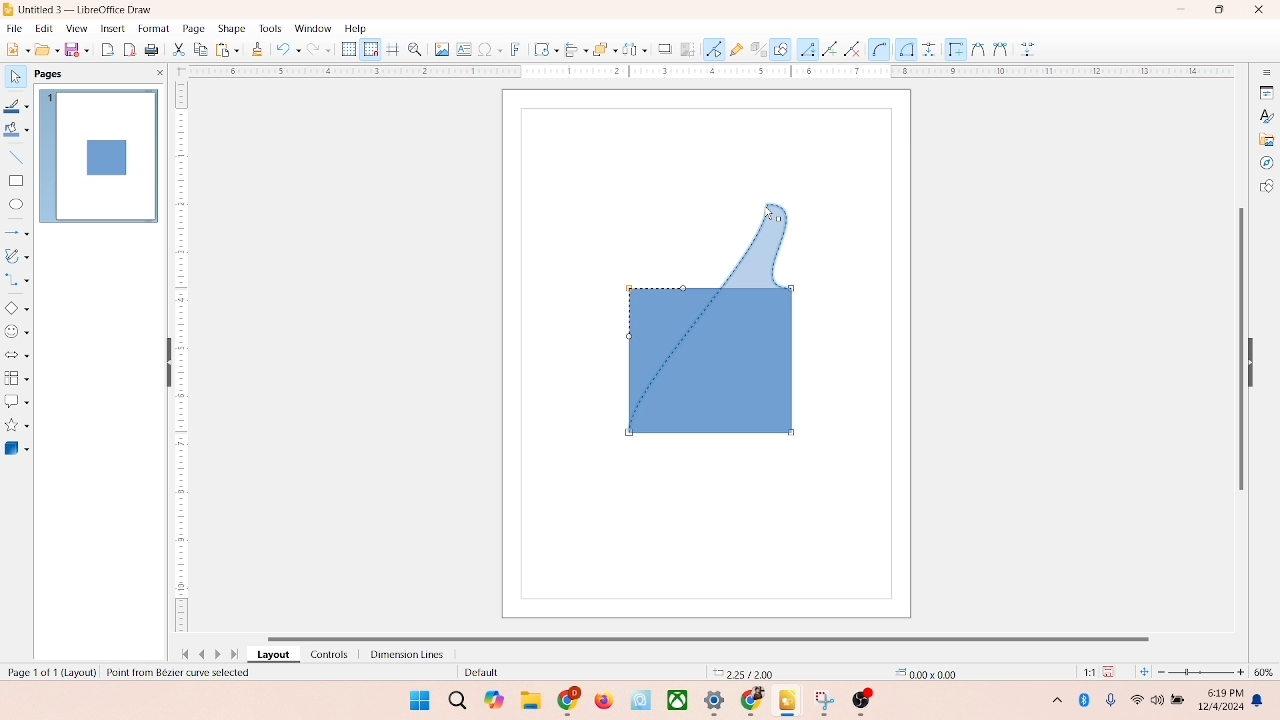  I want to click on tools, so click(269, 28).